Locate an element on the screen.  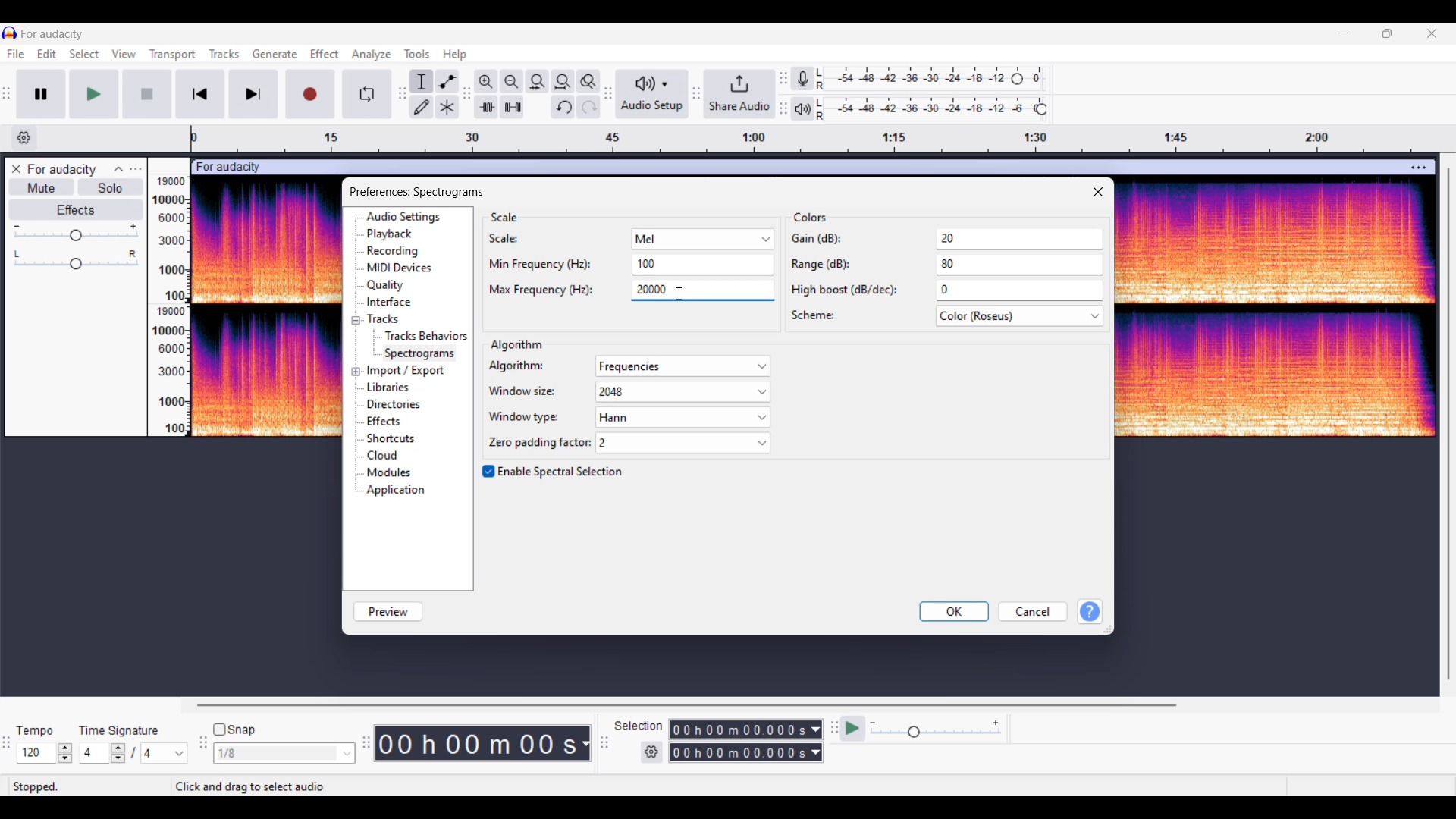
min frequency is located at coordinates (547, 265).